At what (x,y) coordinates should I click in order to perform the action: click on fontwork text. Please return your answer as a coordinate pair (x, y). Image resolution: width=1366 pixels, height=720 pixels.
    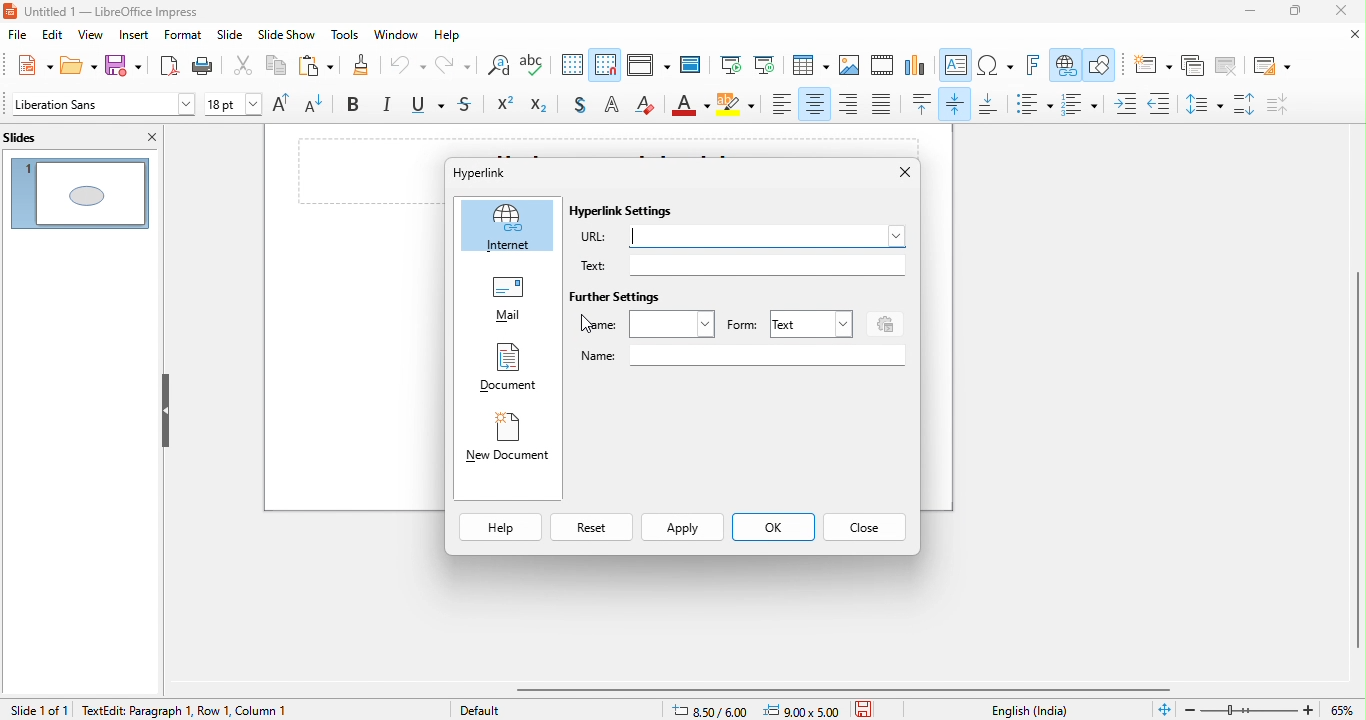
    Looking at the image, I should click on (1036, 66).